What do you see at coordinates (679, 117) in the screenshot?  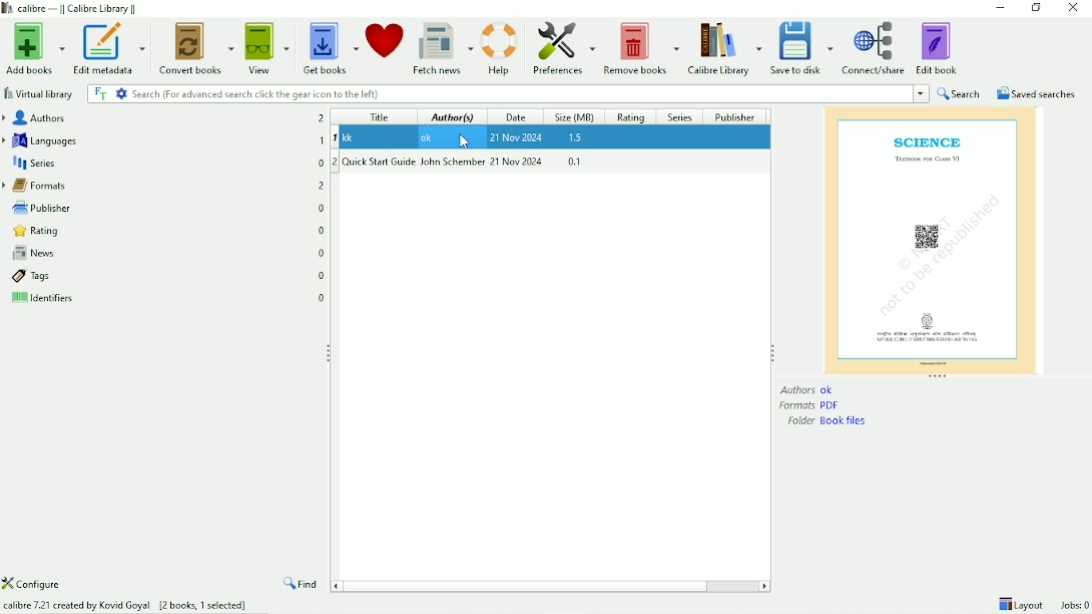 I see `Series` at bounding box center [679, 117].